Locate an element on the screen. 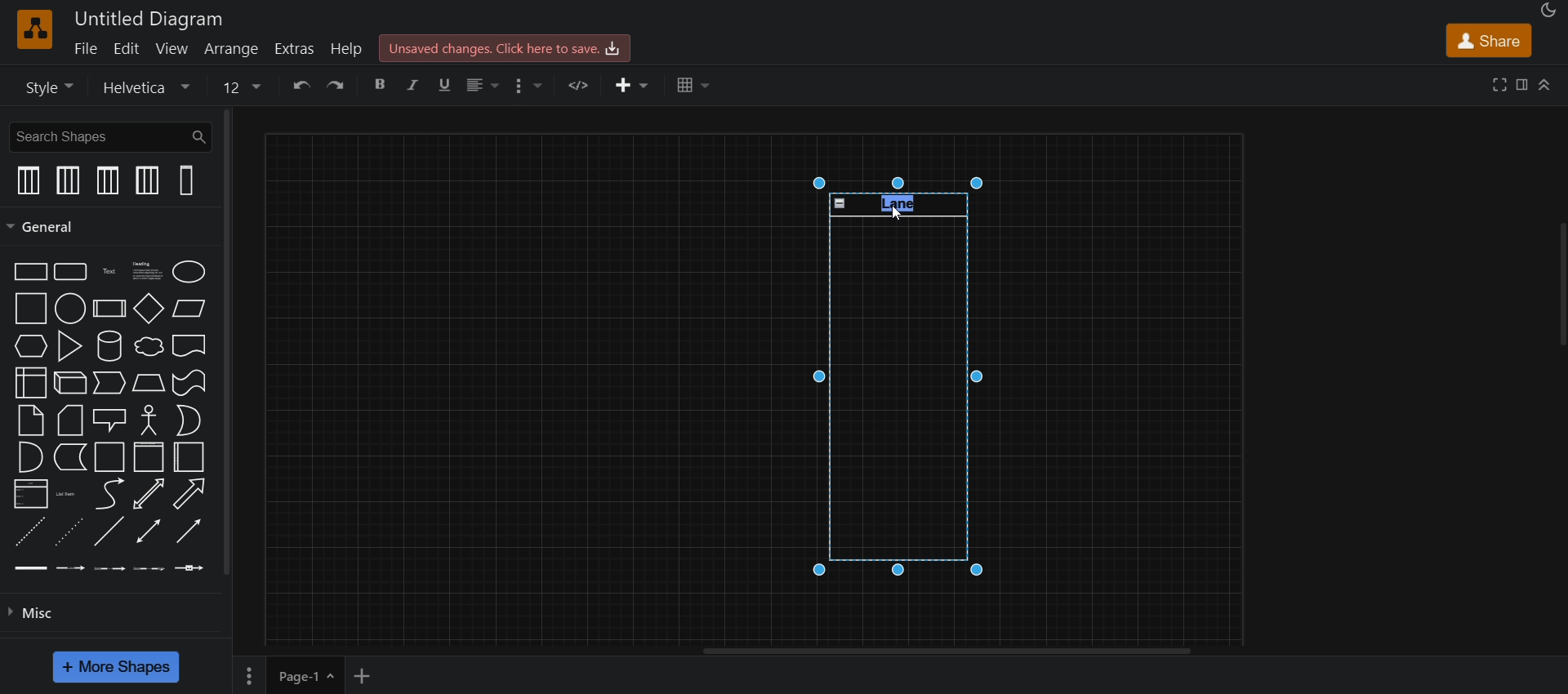  actor is located at coordinates (150, 421).